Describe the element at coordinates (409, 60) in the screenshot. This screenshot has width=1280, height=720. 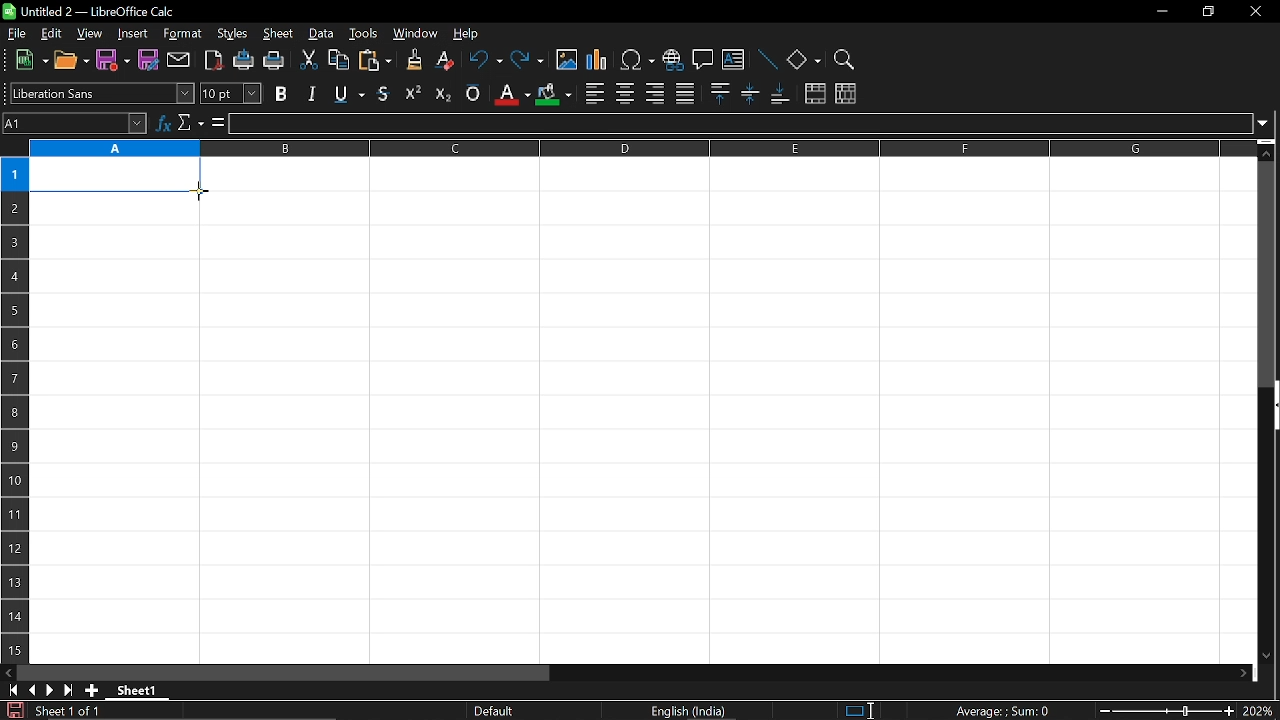
I see `clone formatting` at that location.